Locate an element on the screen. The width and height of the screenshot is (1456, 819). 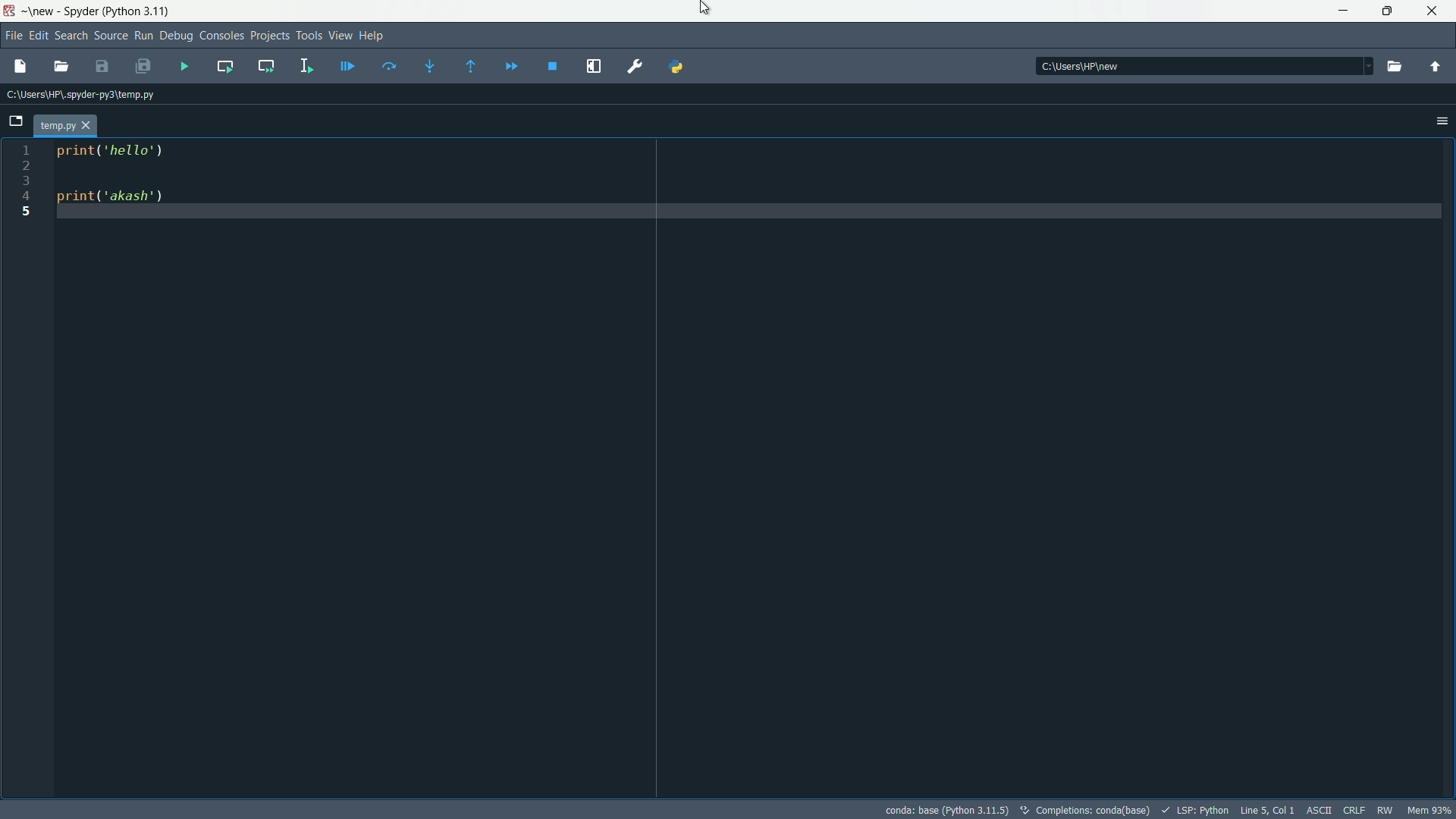
debug menu is located at coordinates (176, 35).